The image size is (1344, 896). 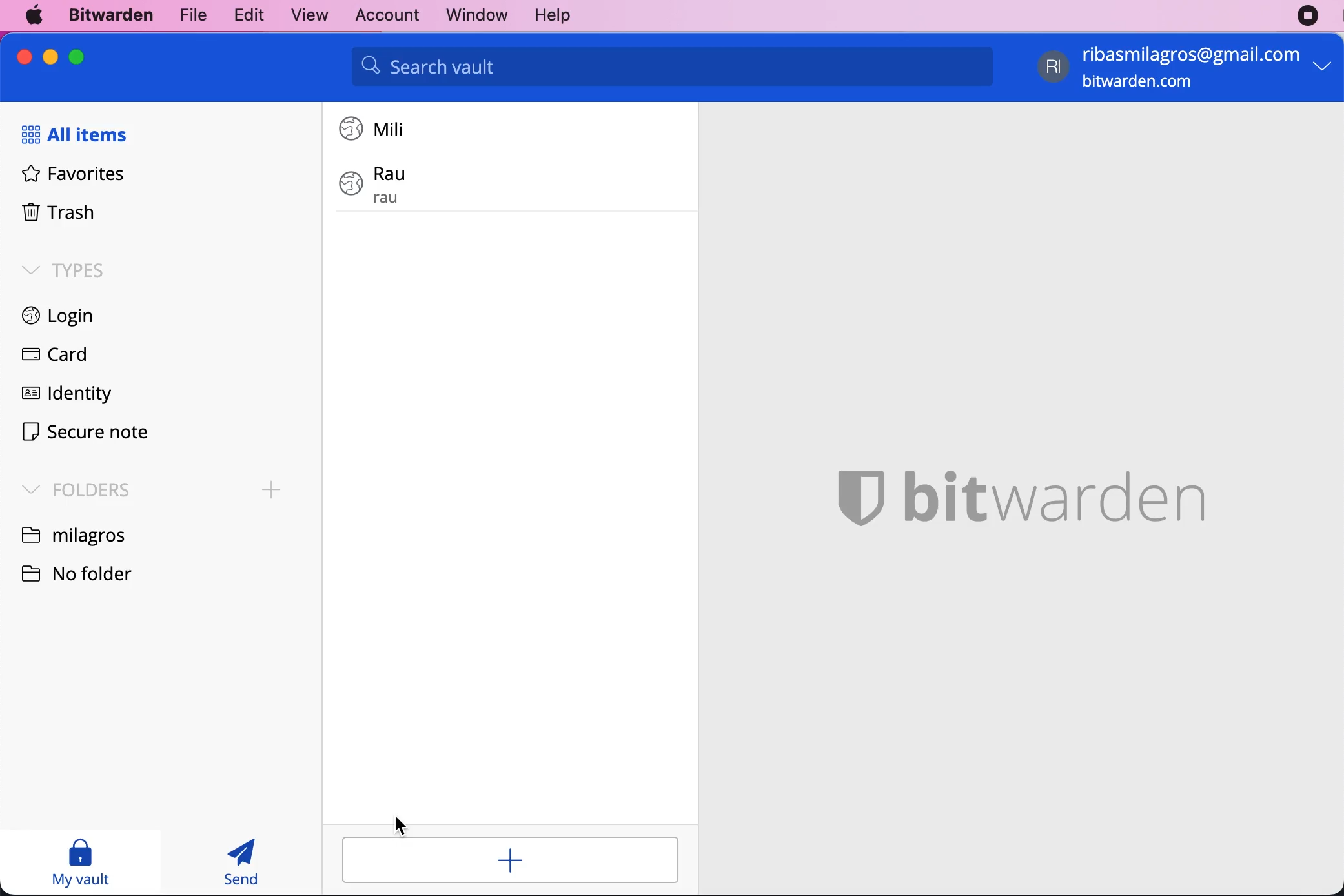 I want to click on all items, so click(x=80, y=136).